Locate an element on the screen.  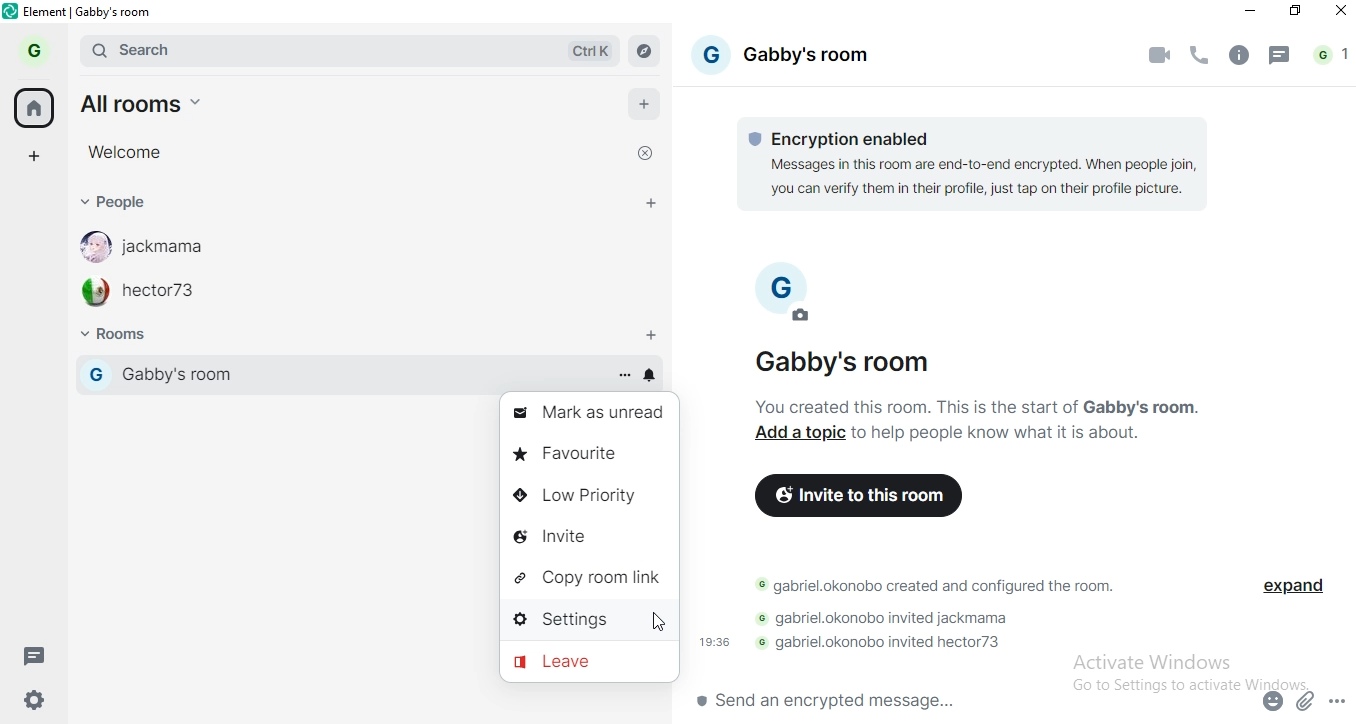
text 3 is located at coordinates (931, 589).